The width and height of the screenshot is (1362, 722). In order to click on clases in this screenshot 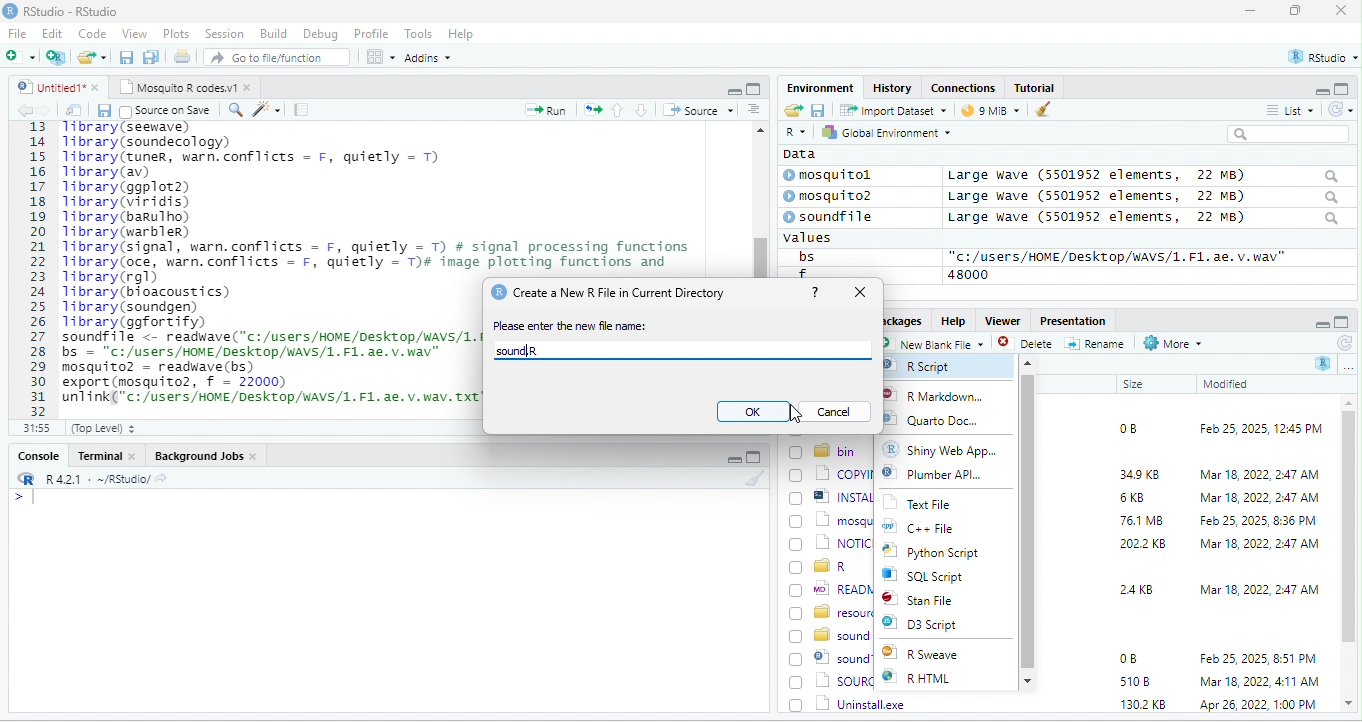, I will do `click(965, 86)`.